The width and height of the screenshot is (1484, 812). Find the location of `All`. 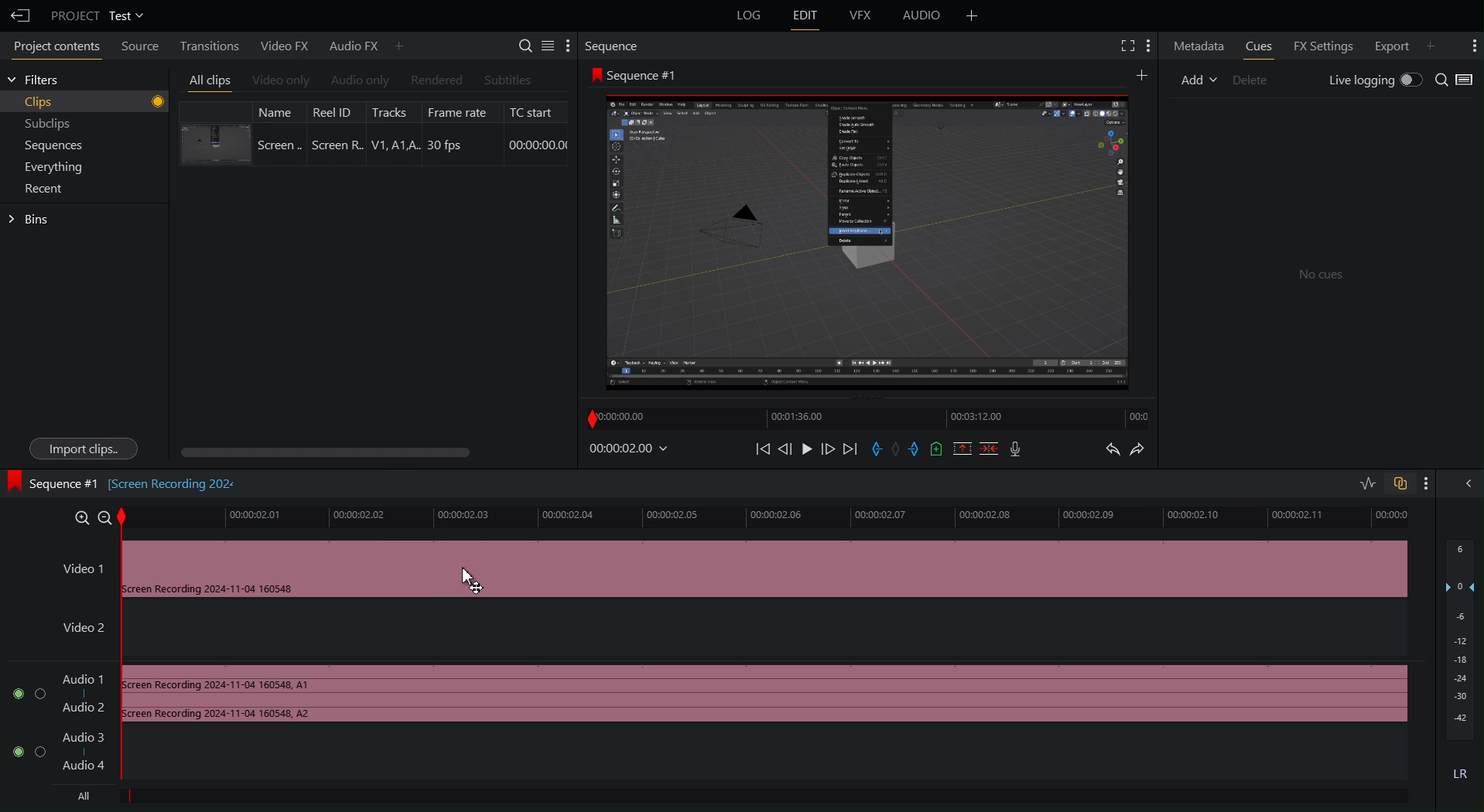

All is located at coordinates (89, 797).